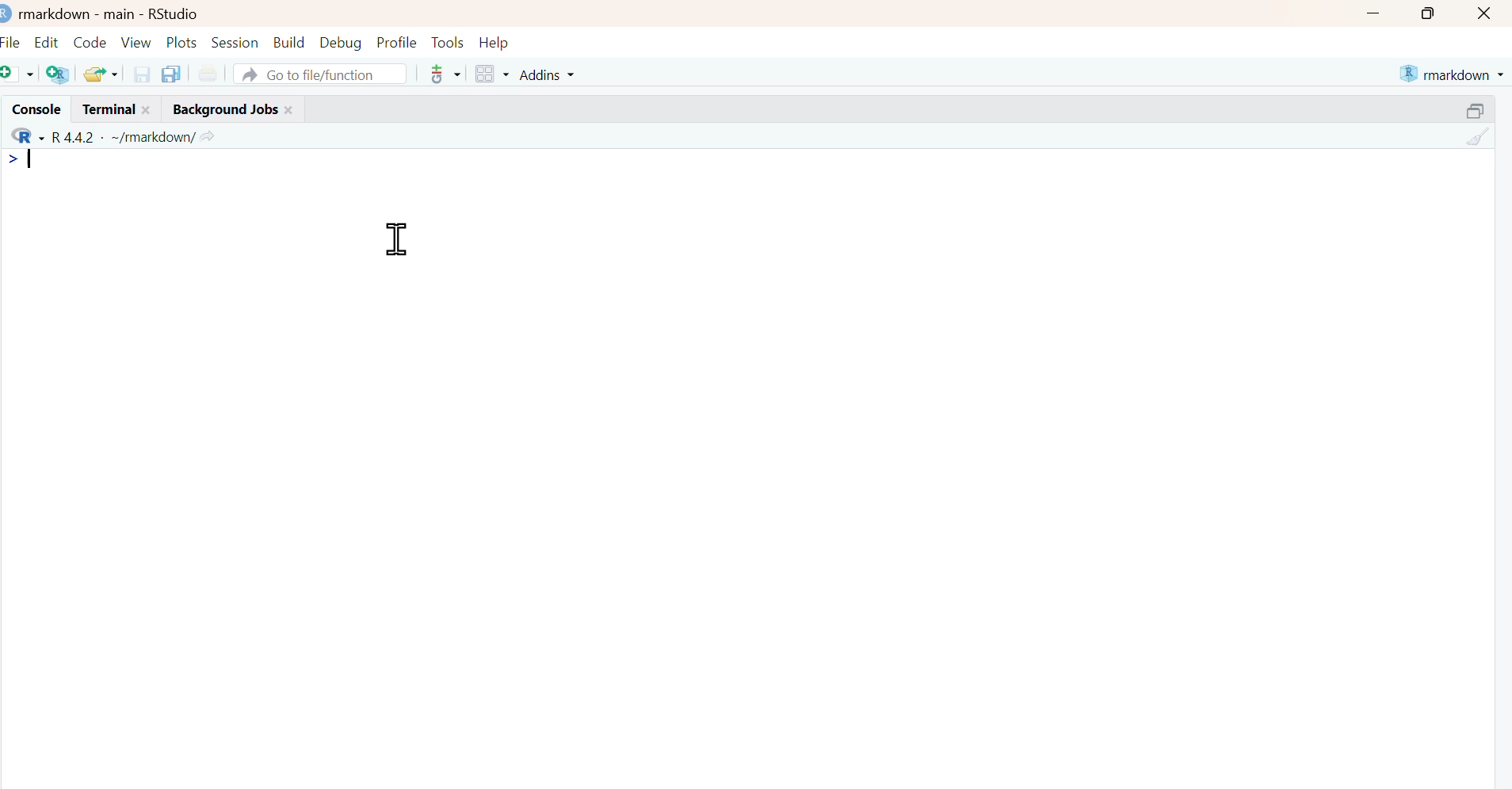 The image size is (1512, 789). Describe the element at coordinates (341, 40) in the screenshot. I see `Debug` at that location.